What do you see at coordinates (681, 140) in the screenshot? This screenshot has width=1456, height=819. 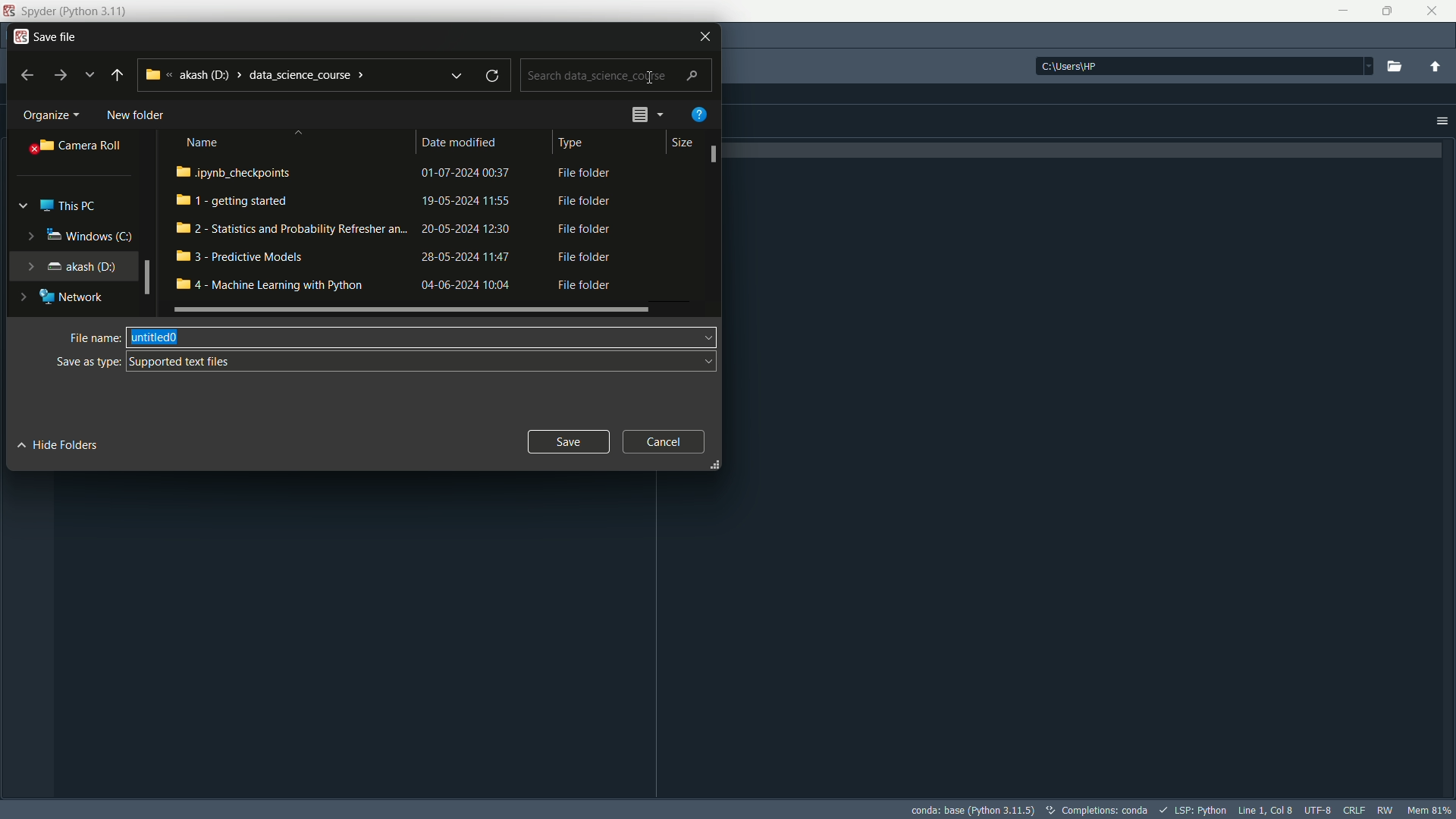 I see `size` at bounding box center [681, 140].